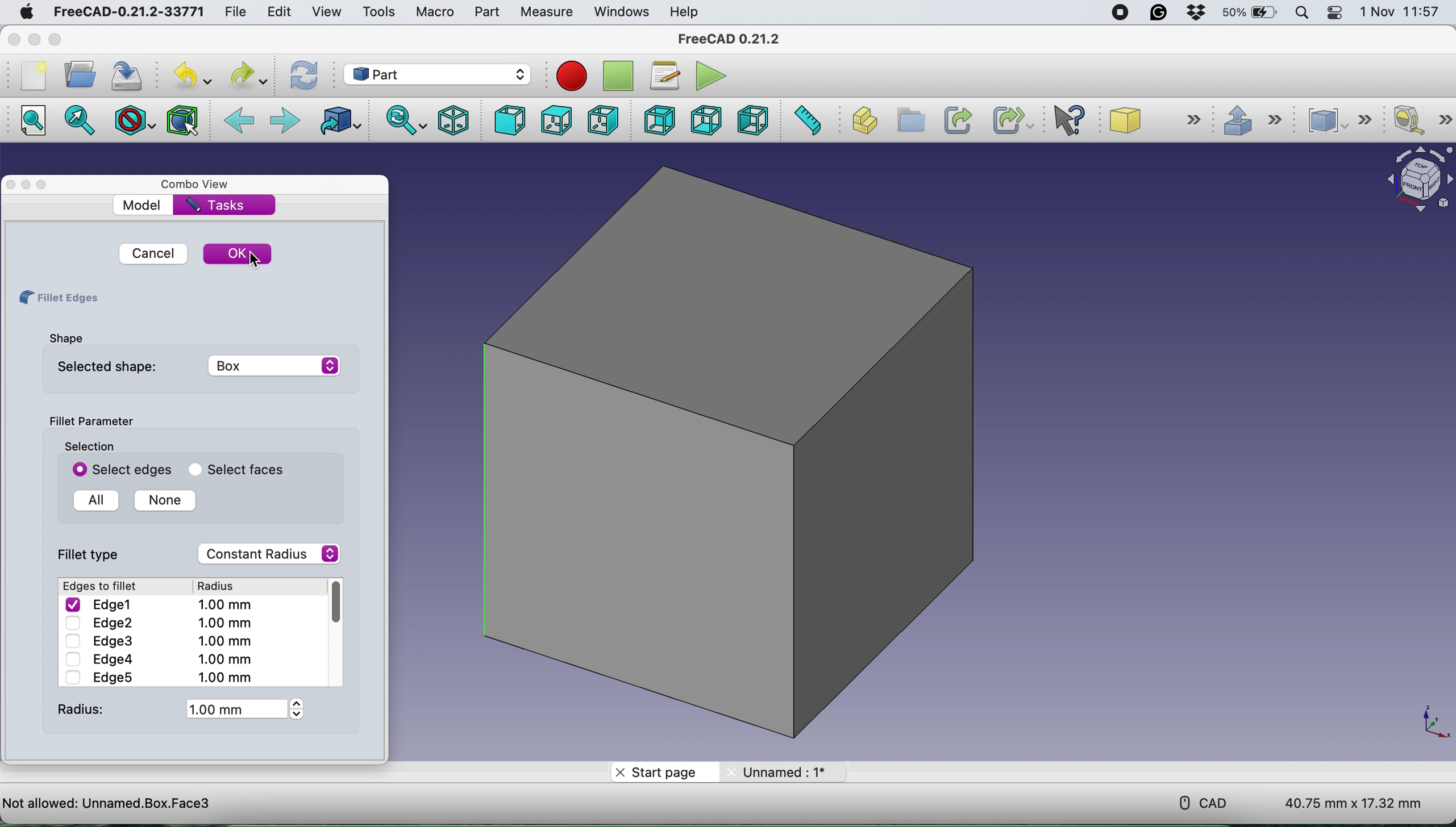  What do you see at coordinates (710, 74) in the screenshot?
I see `execute macros` at bounding box center [710, 74].